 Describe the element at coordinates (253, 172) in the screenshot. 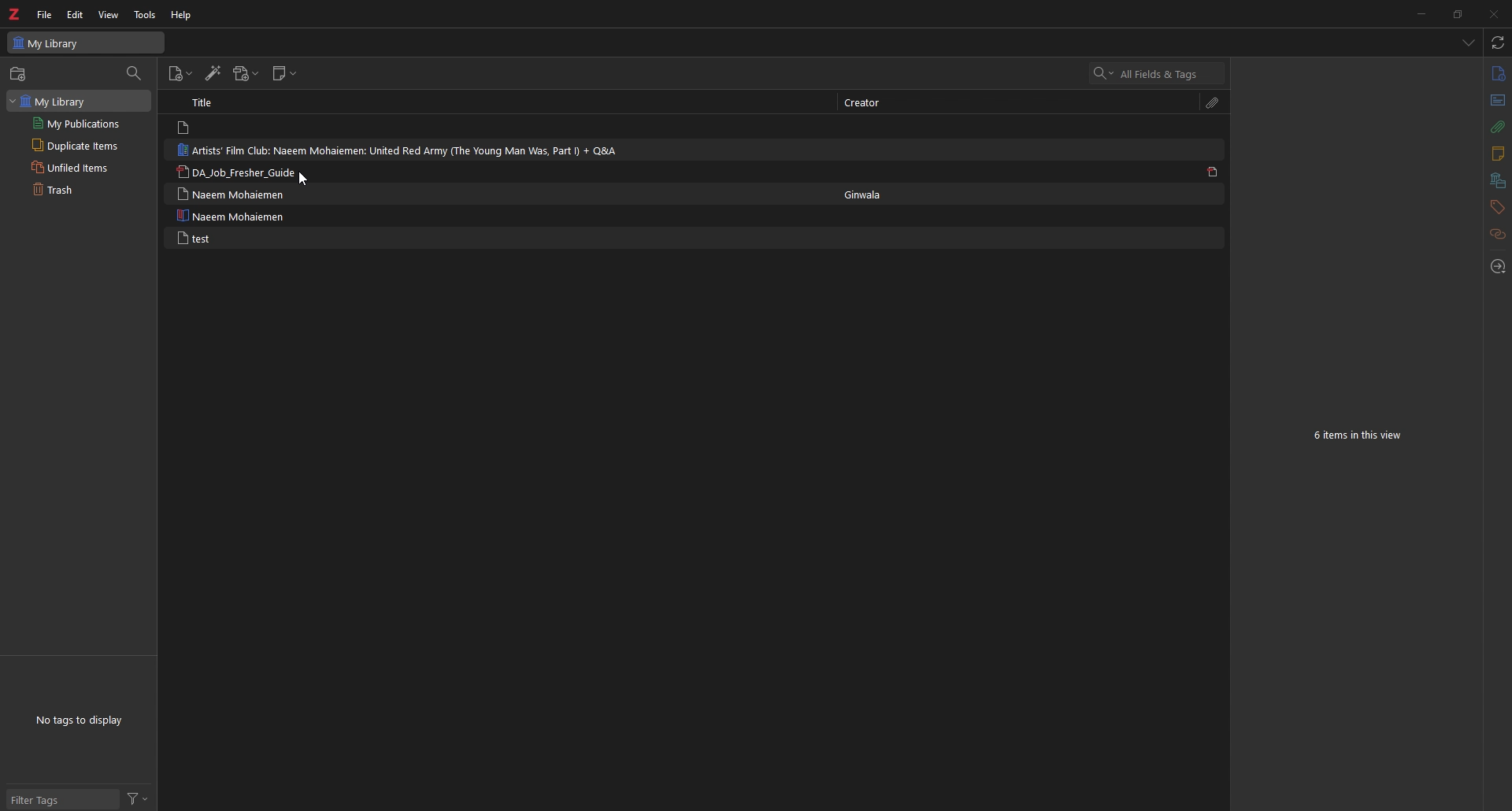

I see `note` at that location.